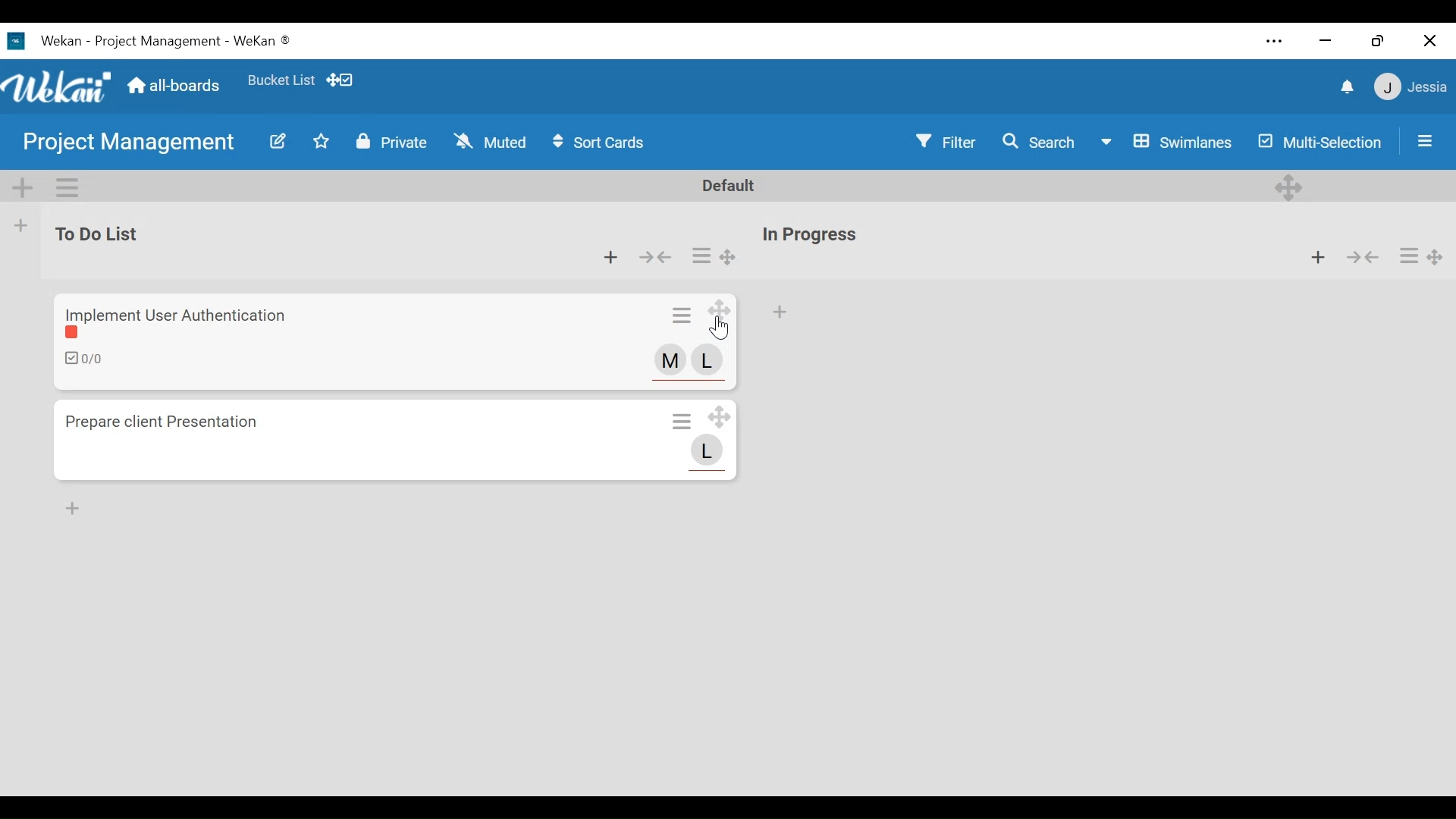 The height and width of the screenshot is (819, 1456). What do you see at coordinates (1343, 88) in the screenshot?
I see `notifications` at bounding box center [1343, 88].